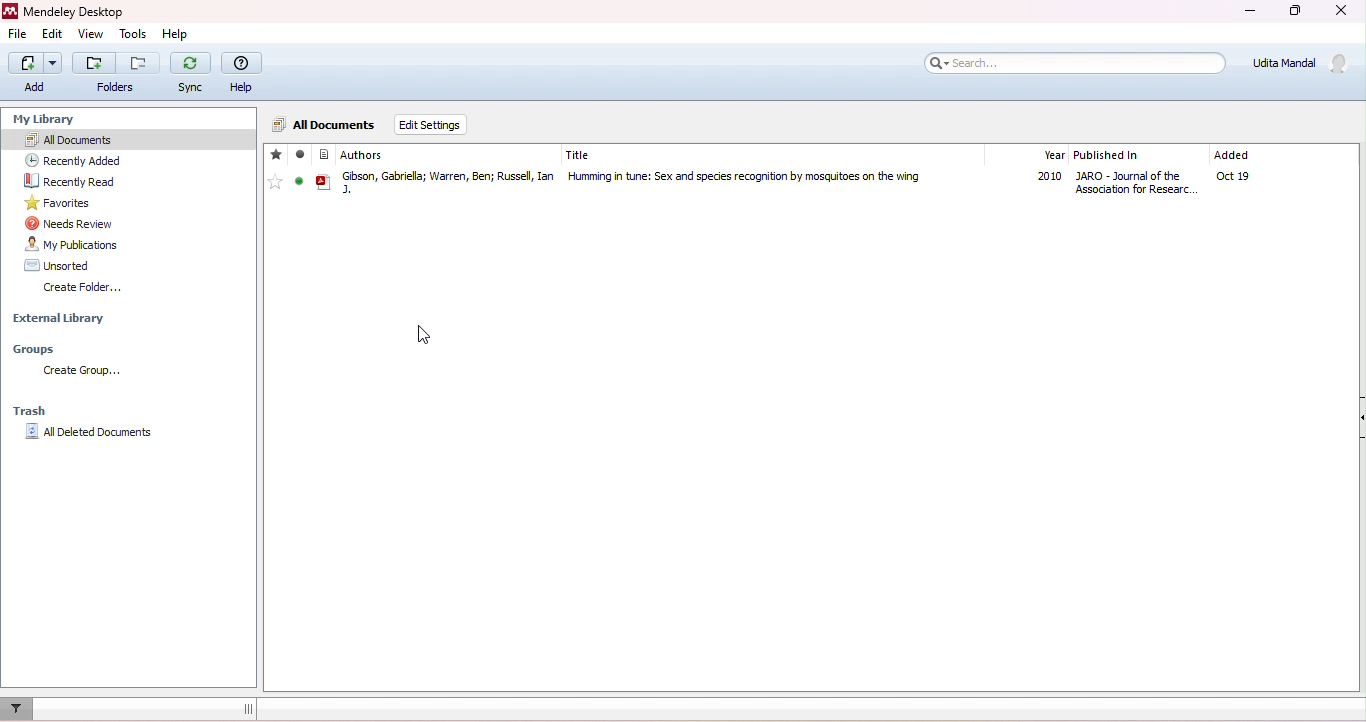 The width and height of the screenshot is (1366, 722). Describe the element at coordinates (1300, 61) in the screenshot. I see `Udita Mandal` at that location.